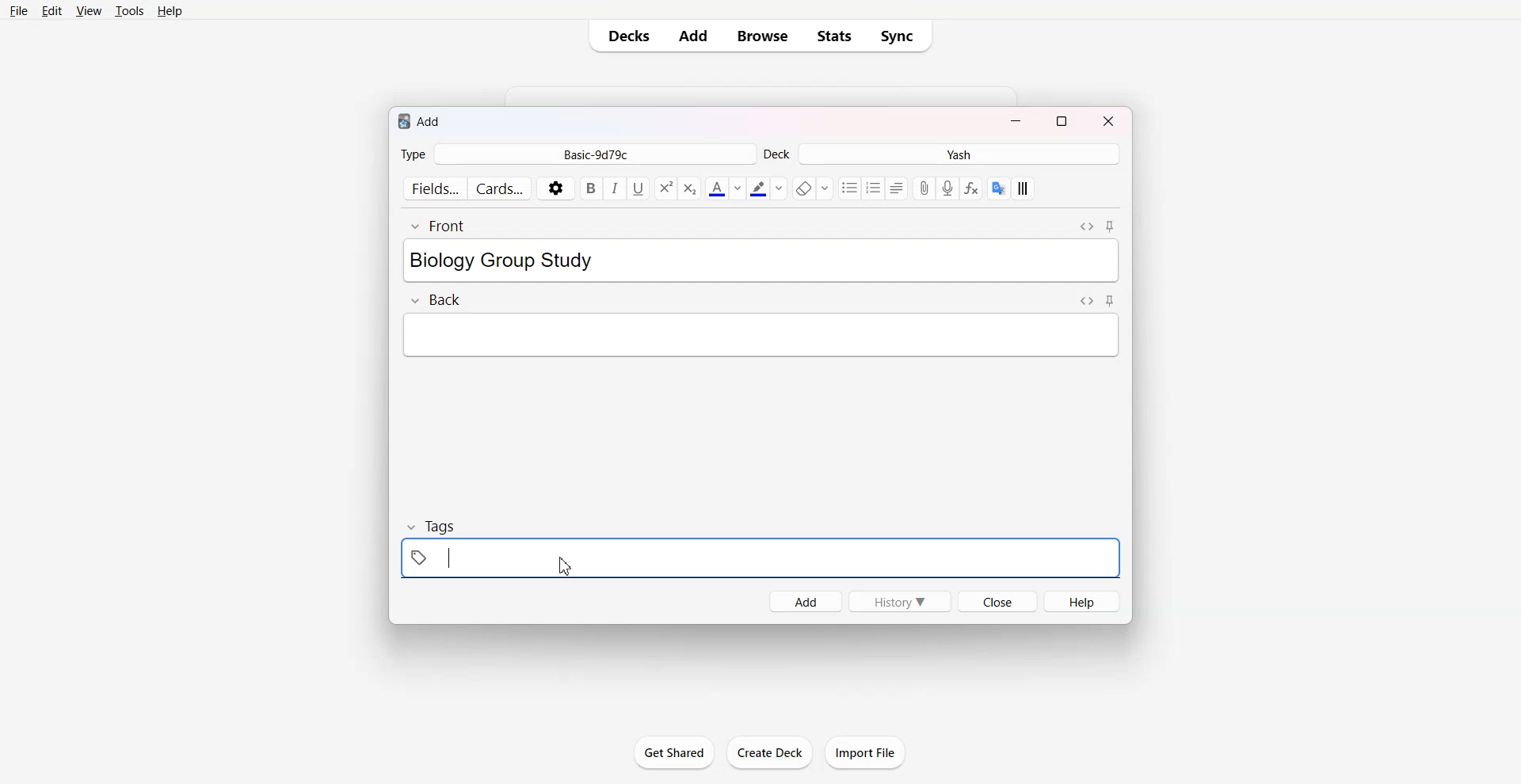 This screenshot has width=1521, height=784. What do you see at coordinates (19, 12) in the screenshot?
I see `File` at bounding box center [19, 12].